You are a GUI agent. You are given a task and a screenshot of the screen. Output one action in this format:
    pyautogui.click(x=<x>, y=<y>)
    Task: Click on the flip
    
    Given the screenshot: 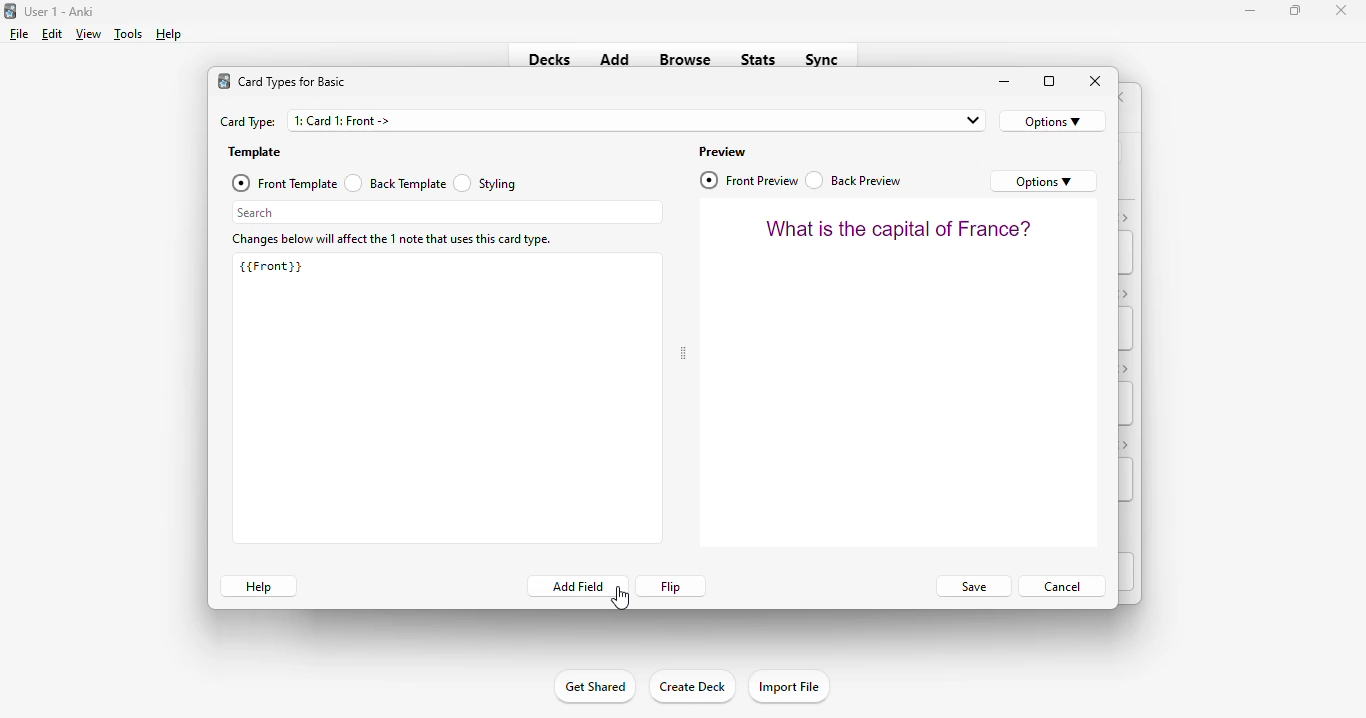 What is the action you would take?
    pyautogui.click(x=672, y=586)
    